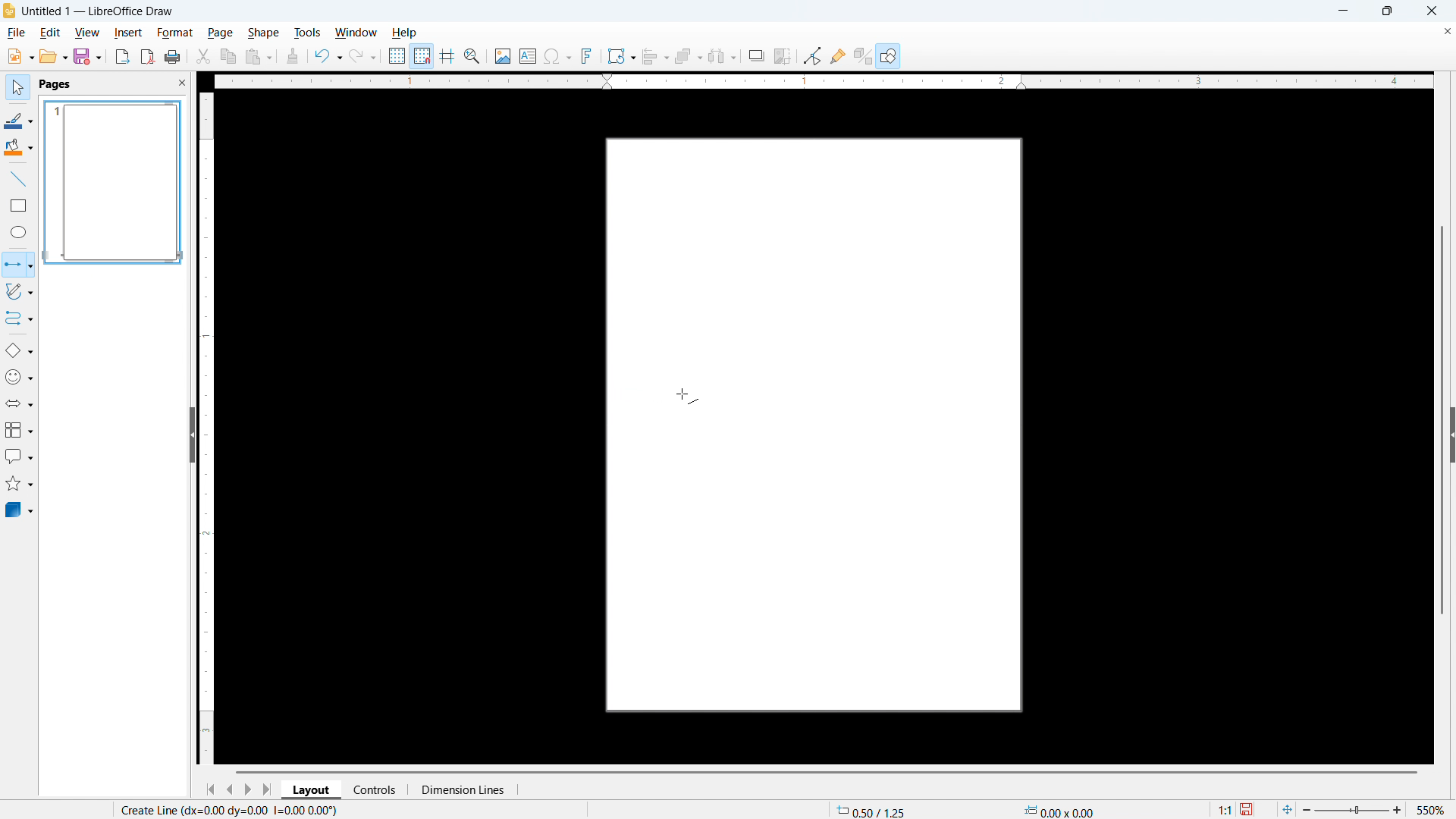  I want to click on Basic shapes , so click(19, 350).